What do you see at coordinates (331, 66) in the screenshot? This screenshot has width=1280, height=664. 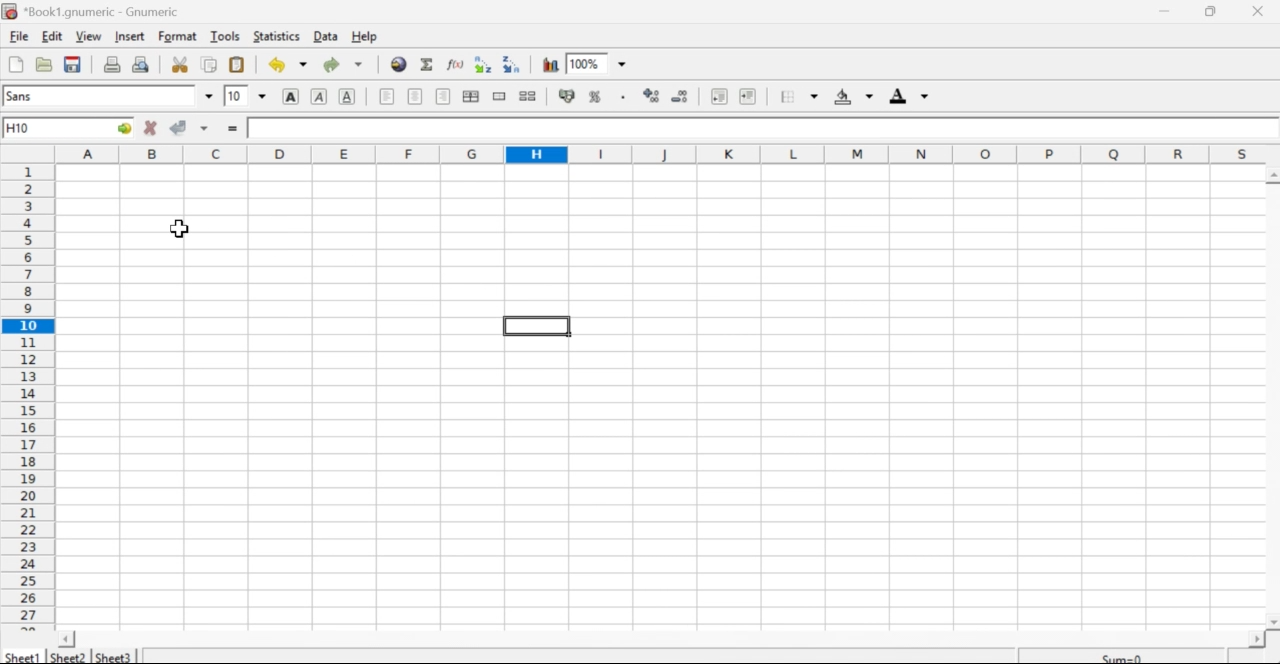 I see `Redo` at bounding box center [331, 66].